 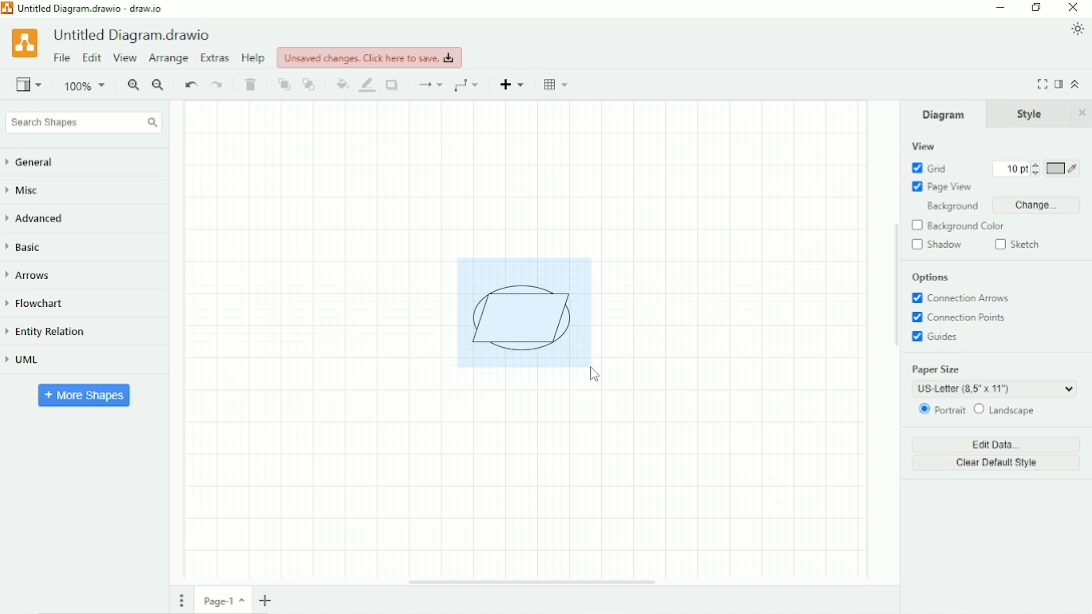 What do you see at coordinates (55, 332) in the screenshot?
I see `Entity relation` at bounding box center [55, 332].